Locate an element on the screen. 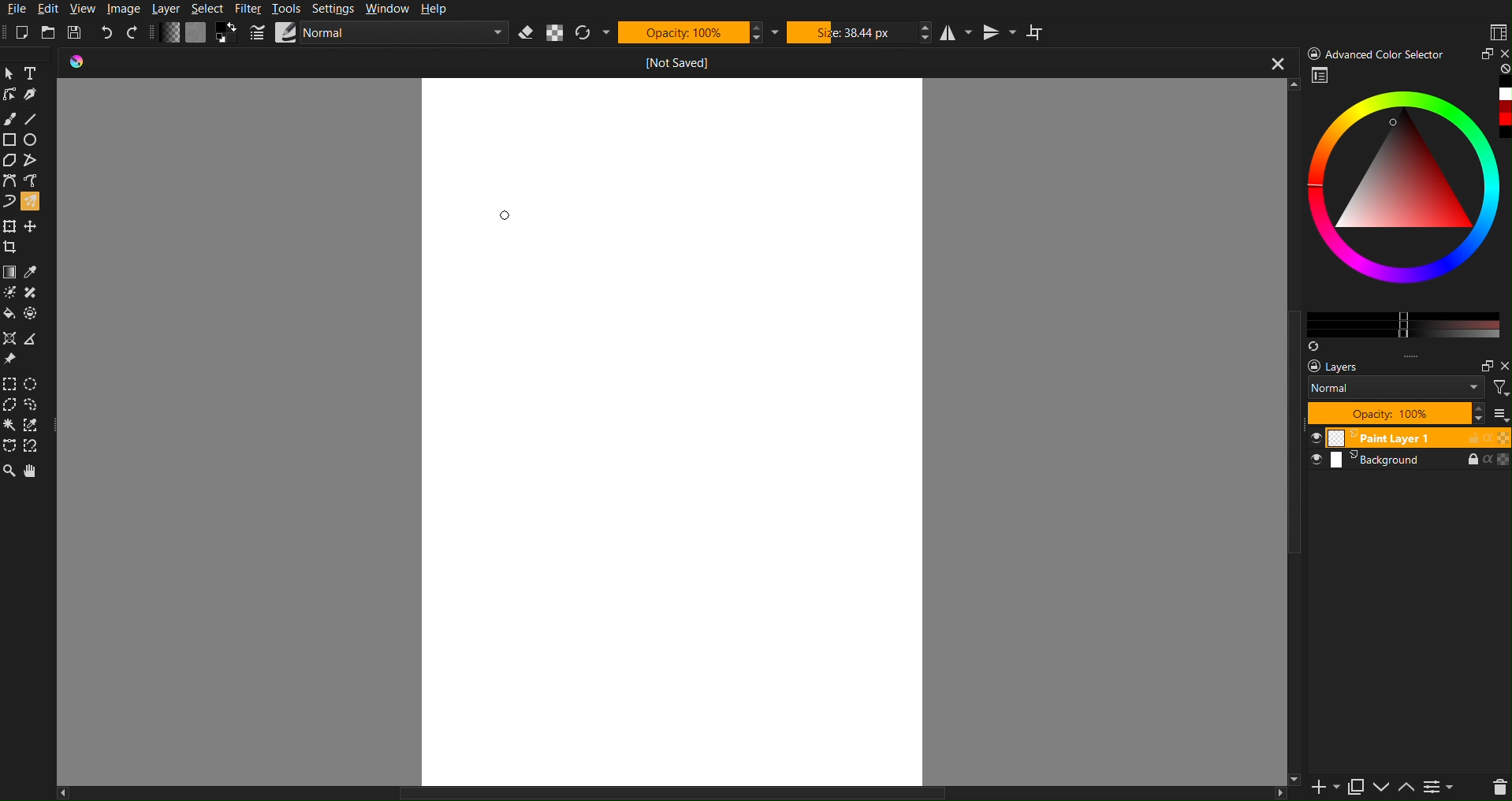 The height and width of the screenshot is (801, 1512). Normal is located at coordinates (1396, 387).